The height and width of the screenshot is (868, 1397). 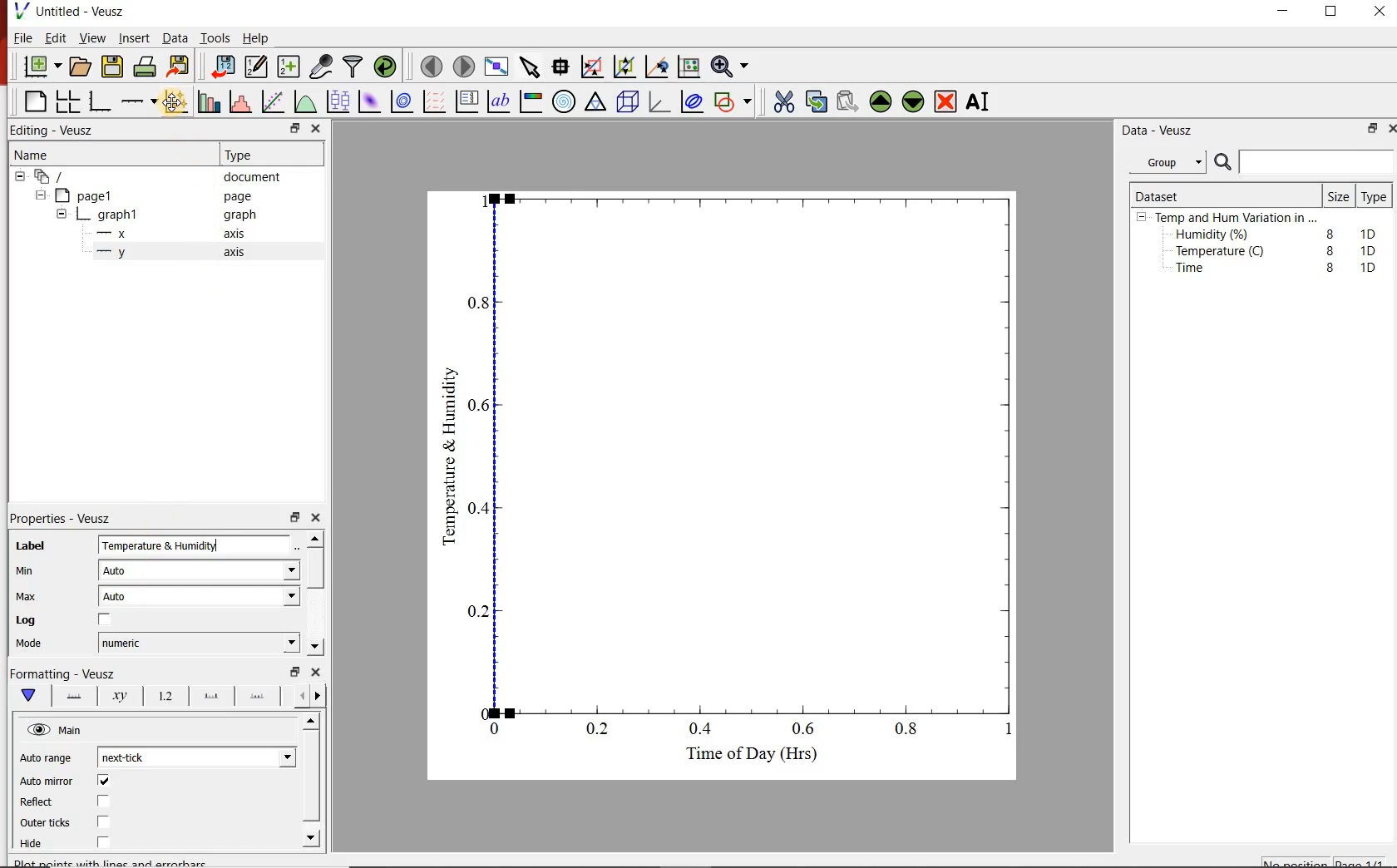 I want to click on 0, so click(x=479, y=711).